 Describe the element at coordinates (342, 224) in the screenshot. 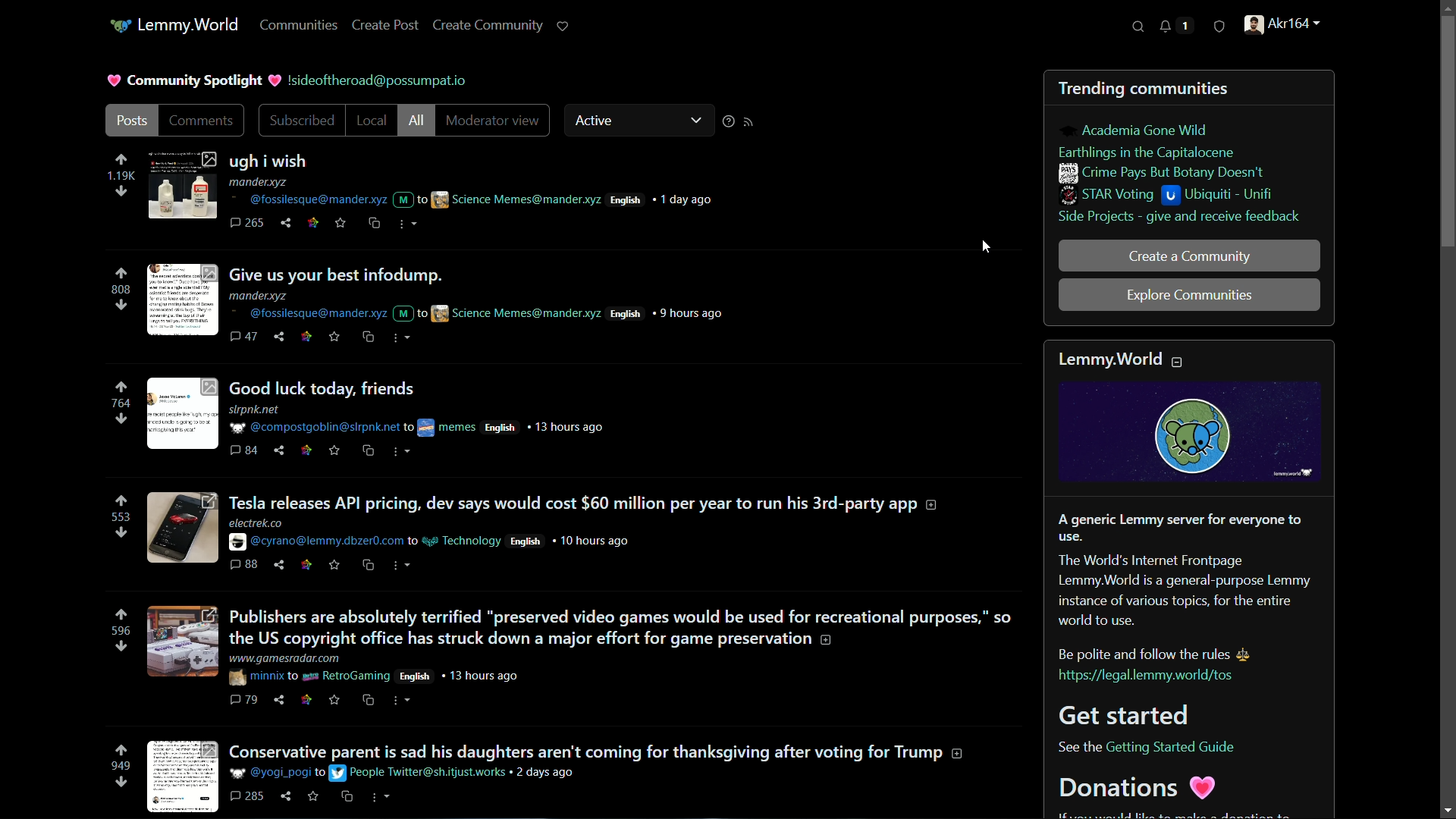

I see `save` at that location.